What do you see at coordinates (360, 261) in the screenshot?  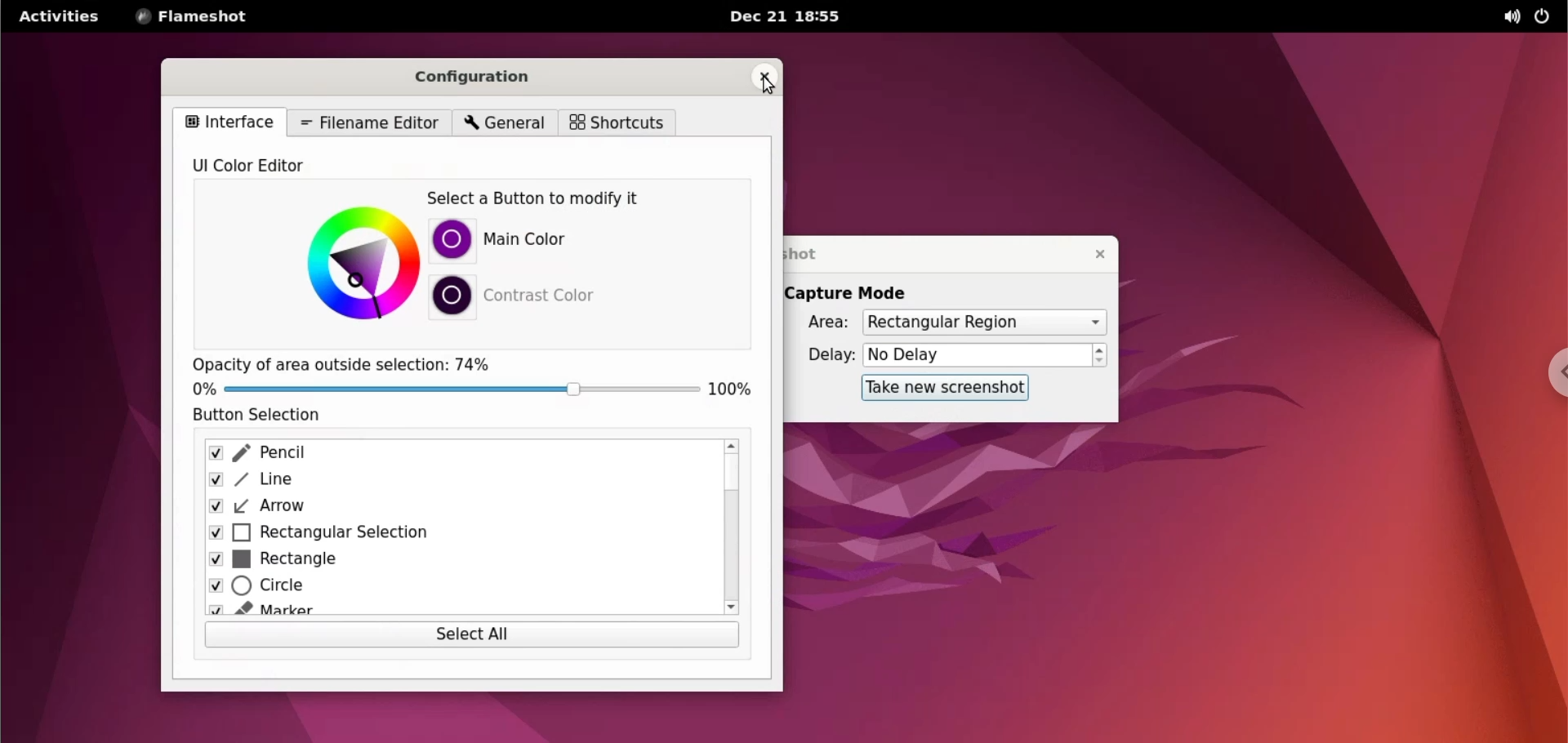 I see `color palette picker` at bounding box center [360, 261].